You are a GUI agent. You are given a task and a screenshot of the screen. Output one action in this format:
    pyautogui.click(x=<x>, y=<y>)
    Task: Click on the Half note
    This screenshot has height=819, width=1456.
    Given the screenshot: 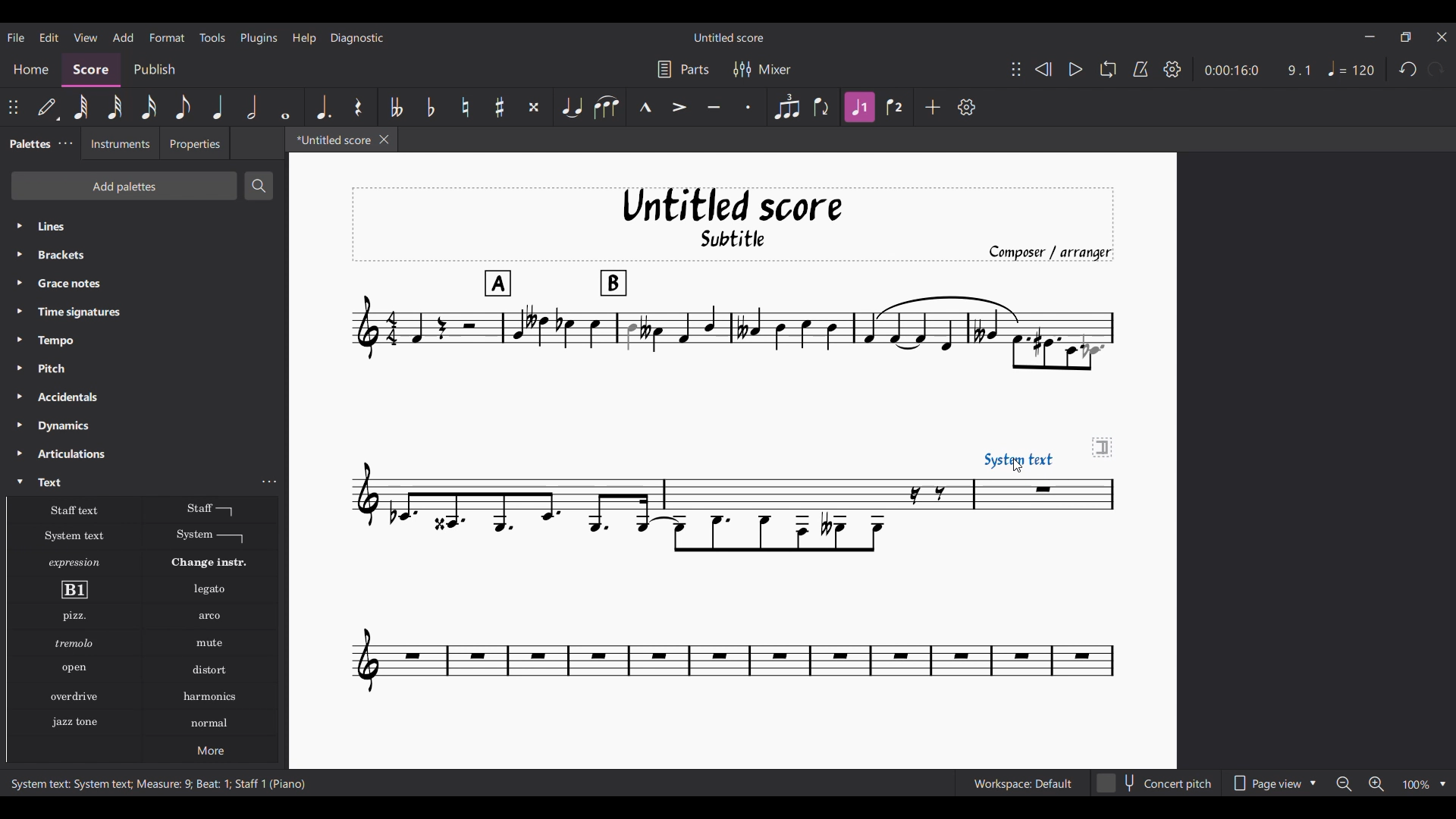 What is the action you would take?
    pyautogui.click(x=252, y=106)
    